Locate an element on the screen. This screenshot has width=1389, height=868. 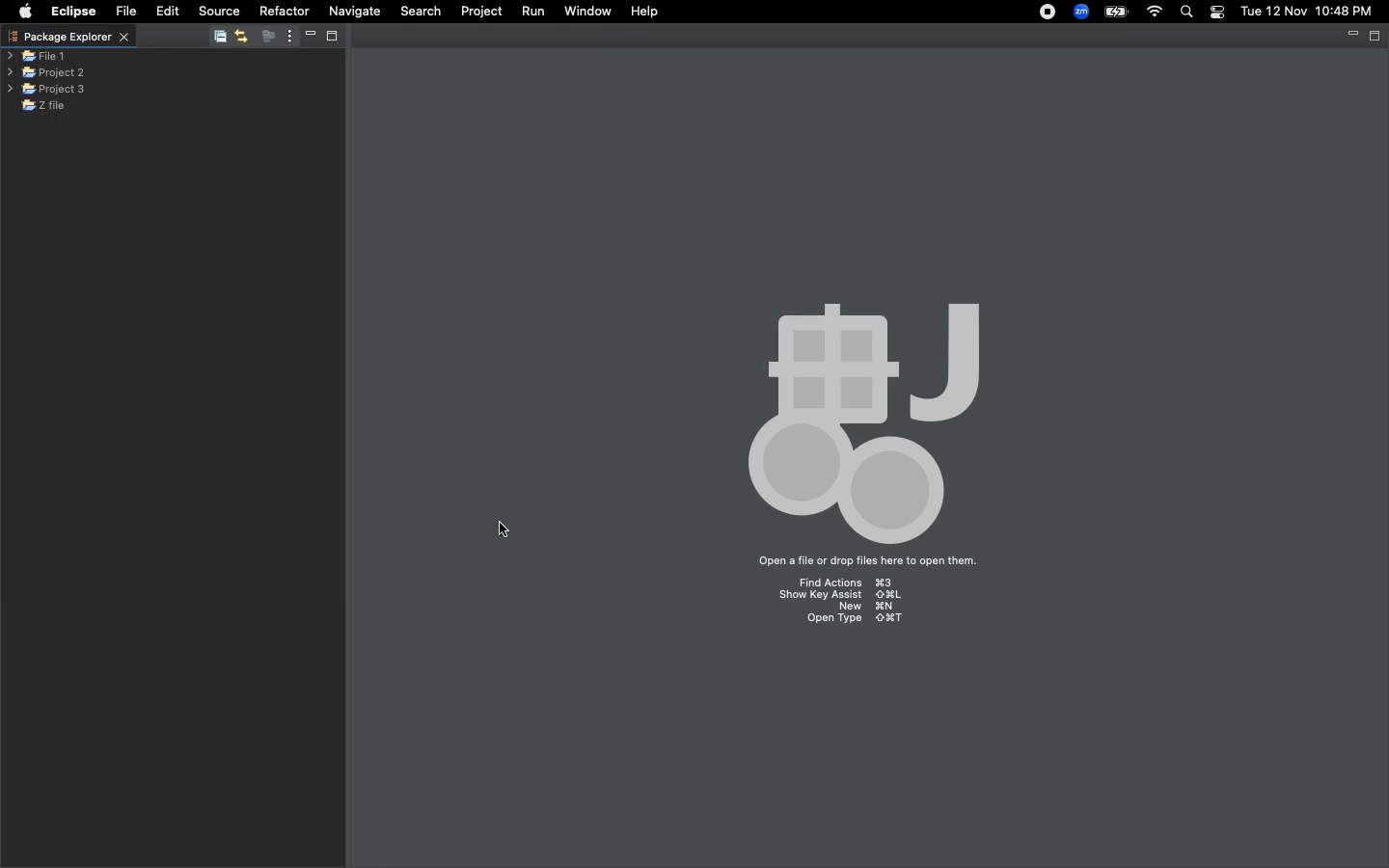
Edit is located at coordinates (166, 12).